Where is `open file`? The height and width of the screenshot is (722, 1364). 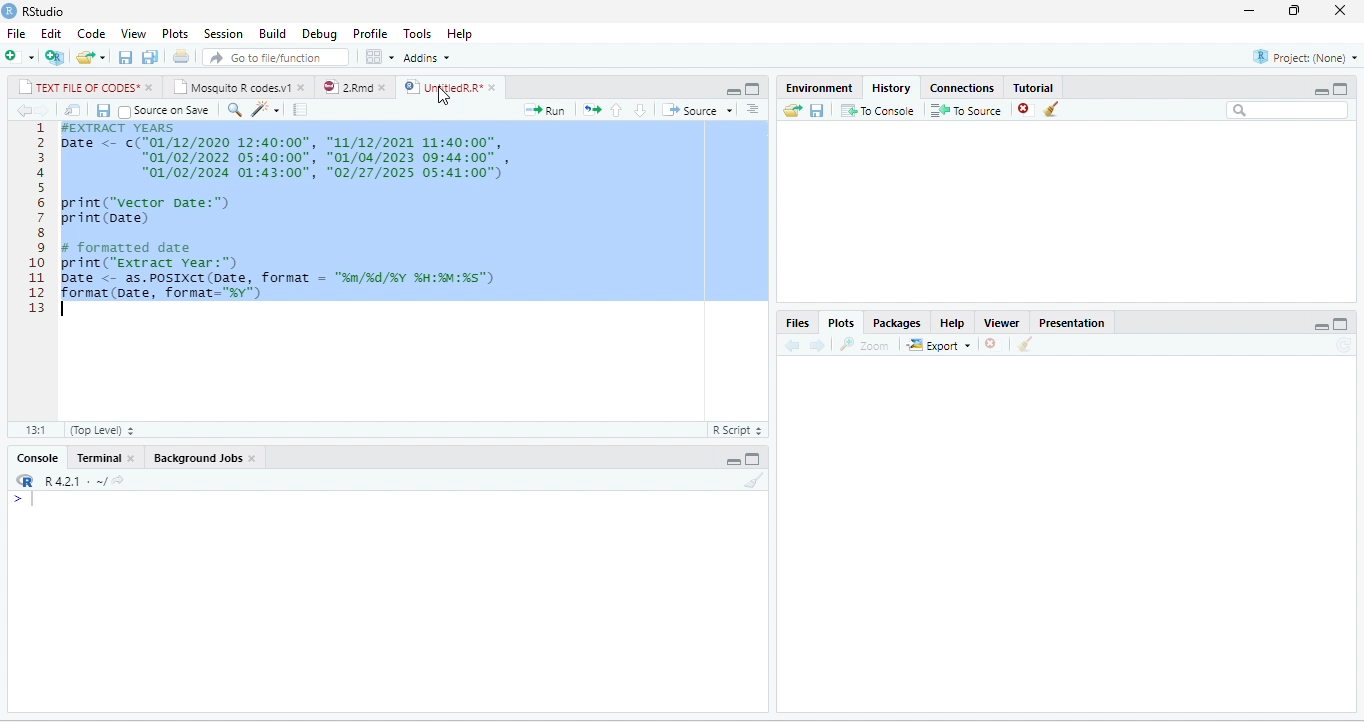 open file is located at coordinates (92, 57).